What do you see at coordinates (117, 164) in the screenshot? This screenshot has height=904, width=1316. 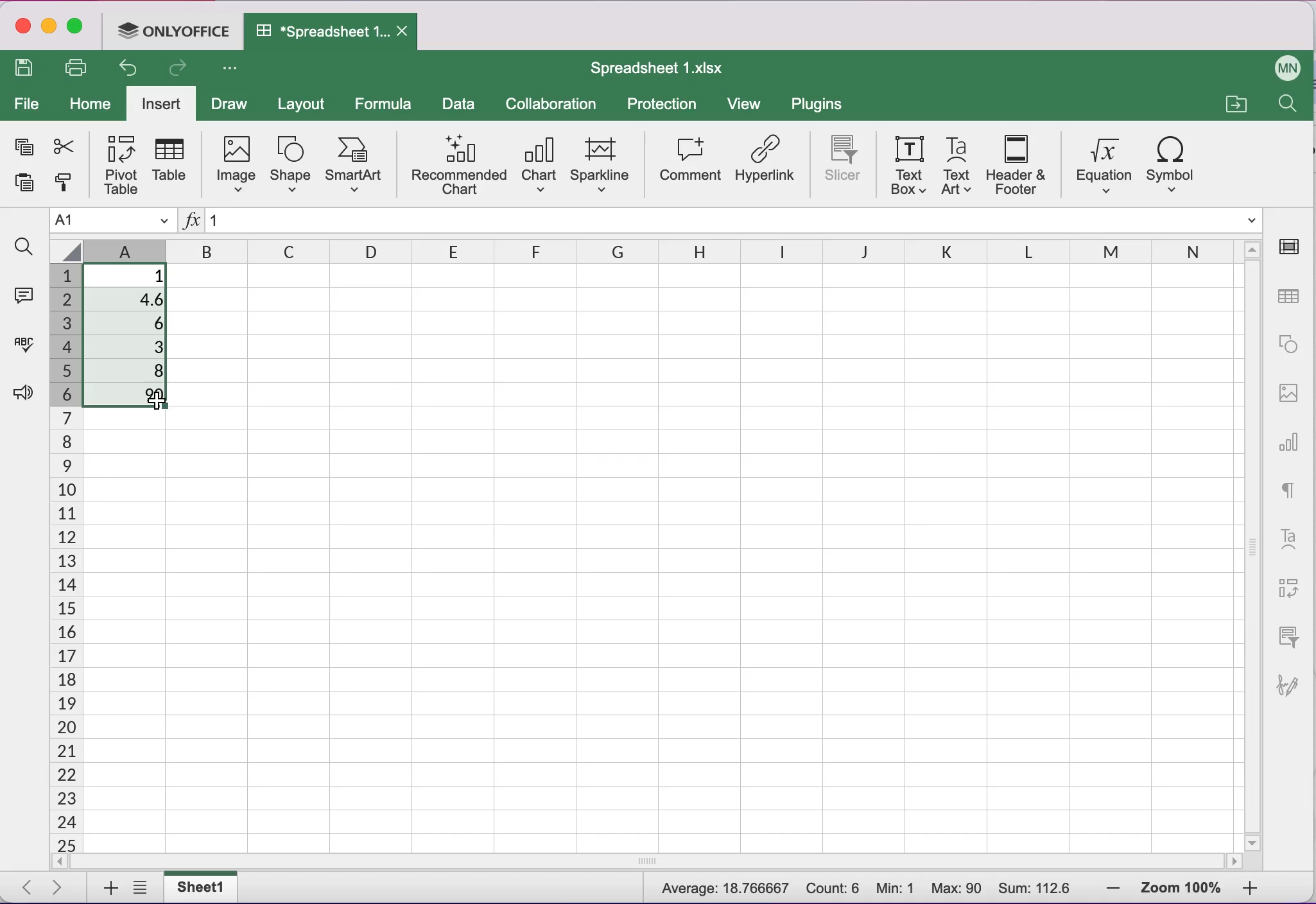 I see `pivot table` at bounding box center [117, 164].